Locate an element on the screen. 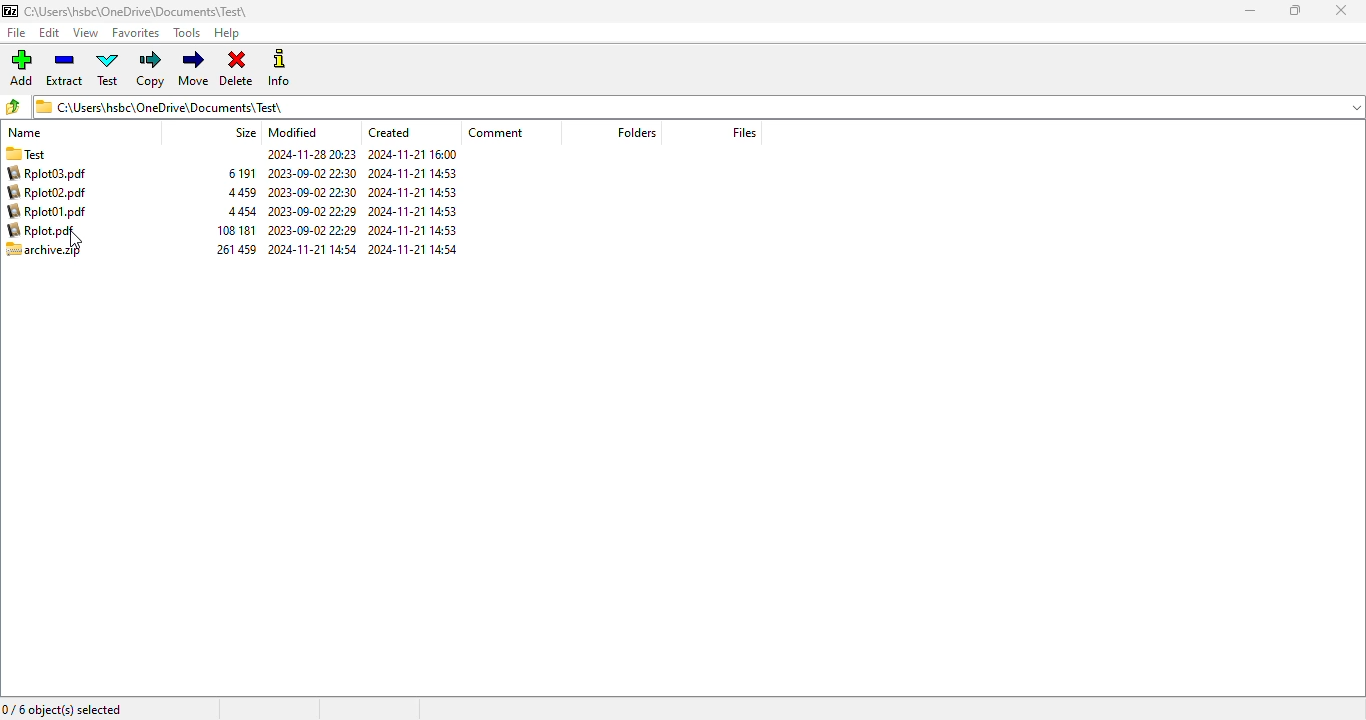 The width and height of the screenshot is (1366, 720). info is located at coordinates (279, 68).